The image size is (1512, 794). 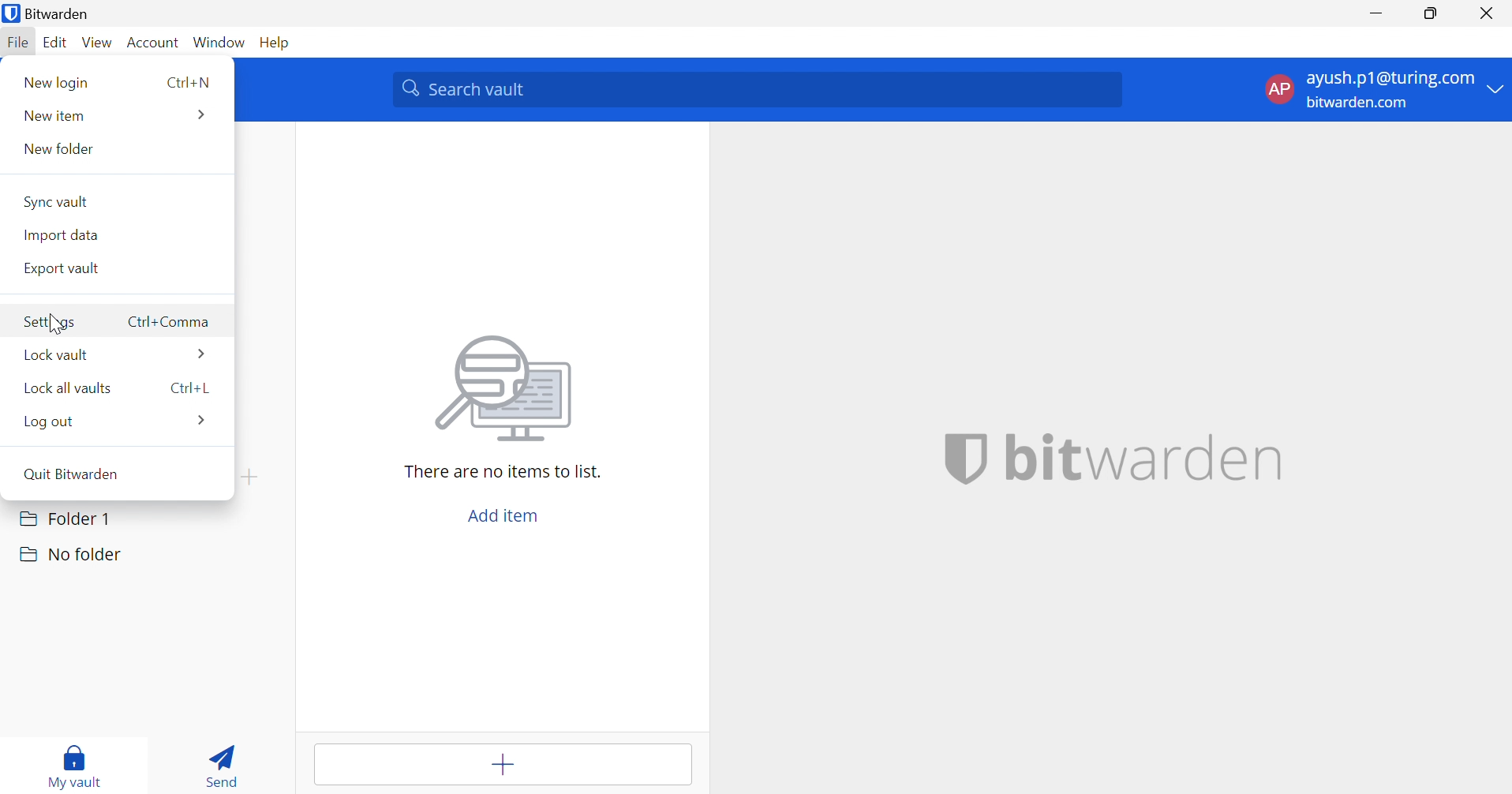 I want to click on Sync vault, so click(x=58, y=200).